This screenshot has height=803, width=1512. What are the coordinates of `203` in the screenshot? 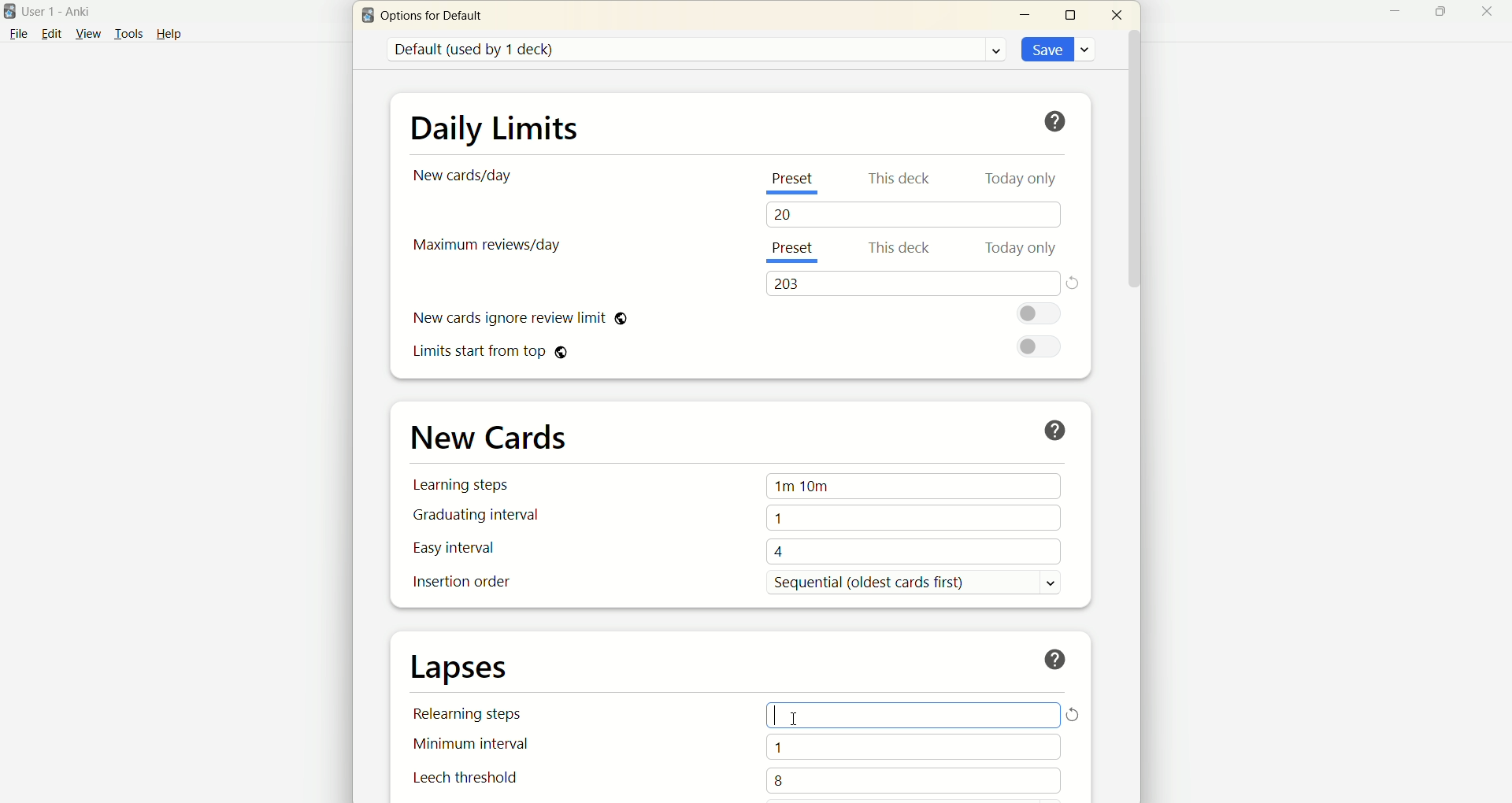 It's located at (910, 283).